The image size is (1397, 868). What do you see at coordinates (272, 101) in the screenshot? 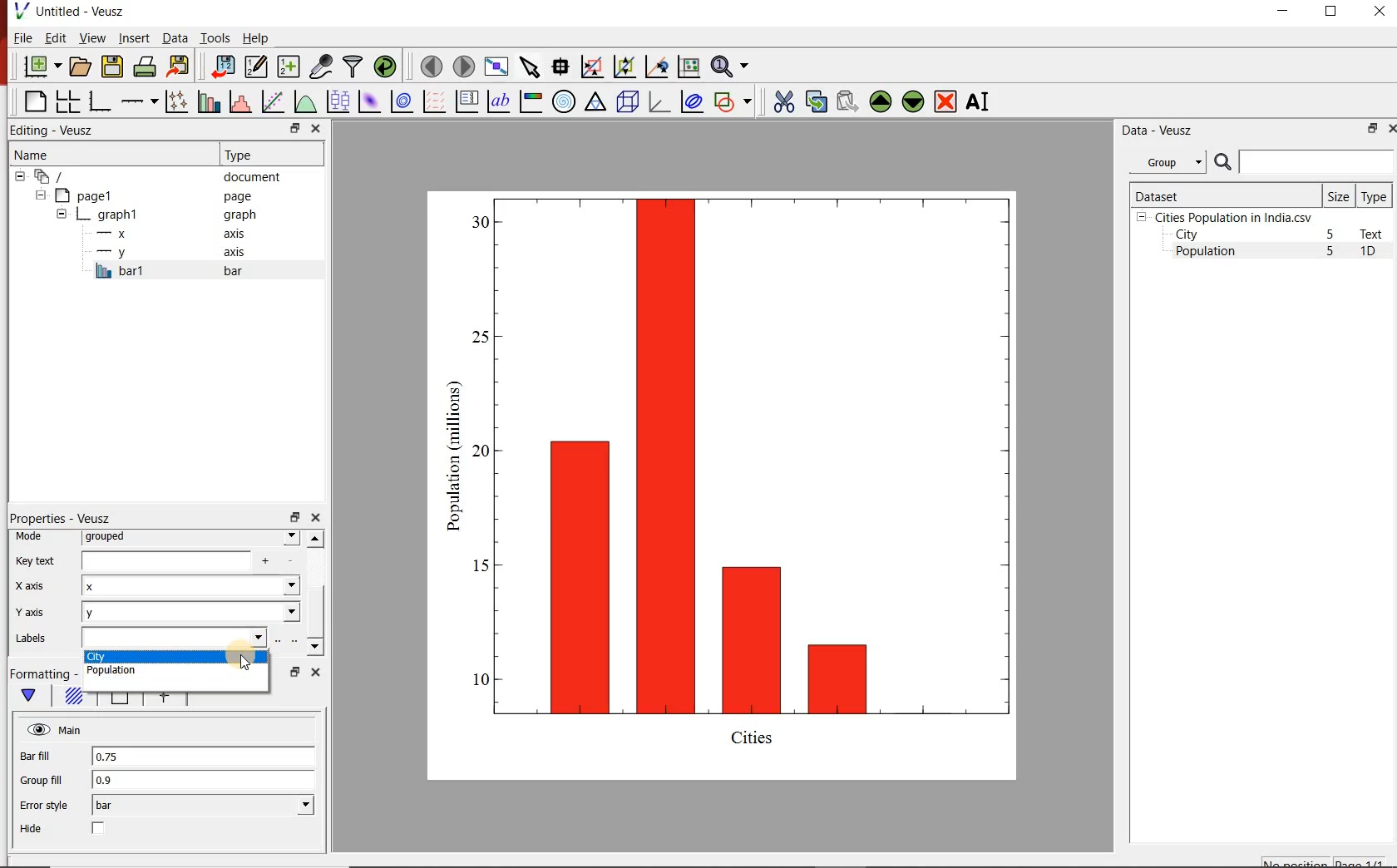
I see `fit a function to data` at bounding box center [272, 101].